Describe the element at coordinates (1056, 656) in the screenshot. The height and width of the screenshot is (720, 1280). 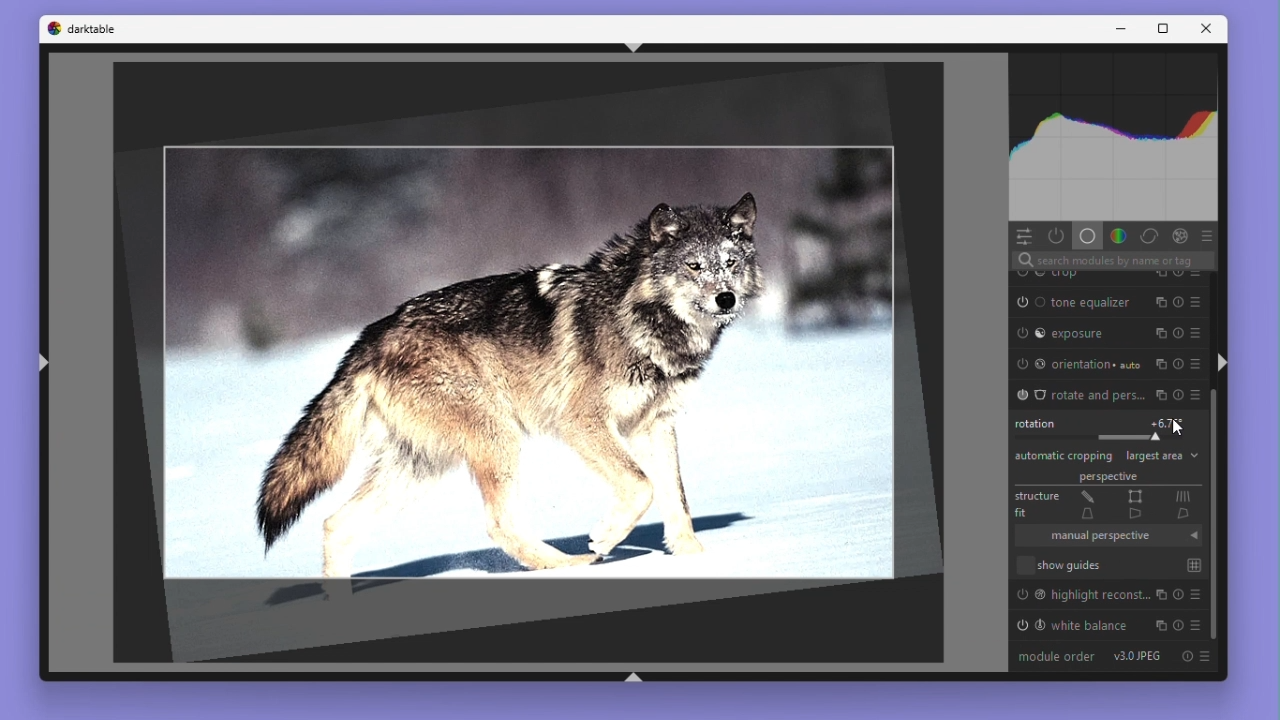
I see `Module order` at that location.